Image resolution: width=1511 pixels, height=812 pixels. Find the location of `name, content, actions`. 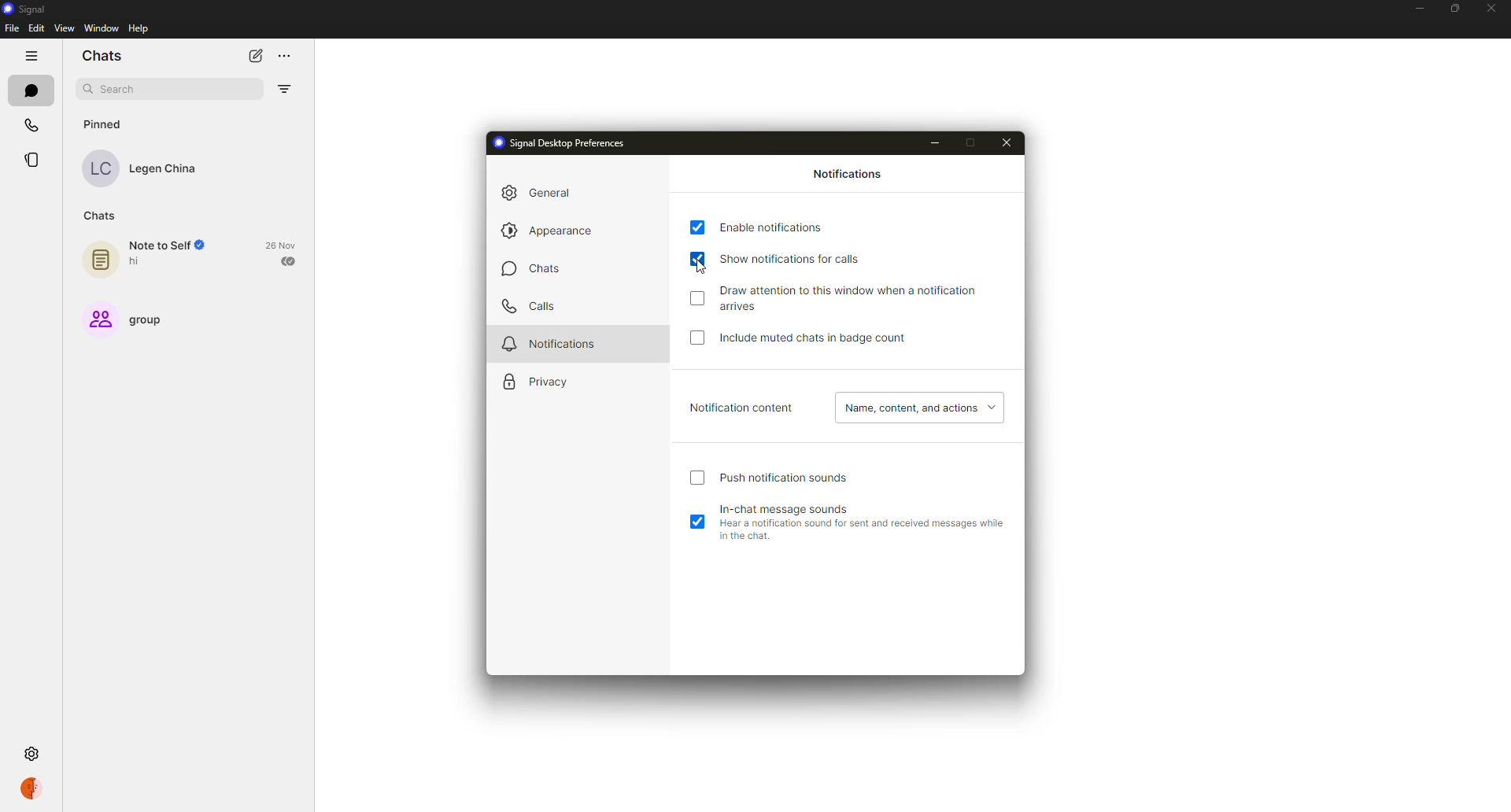

name, content, actions is located at coordinates (912, 407).